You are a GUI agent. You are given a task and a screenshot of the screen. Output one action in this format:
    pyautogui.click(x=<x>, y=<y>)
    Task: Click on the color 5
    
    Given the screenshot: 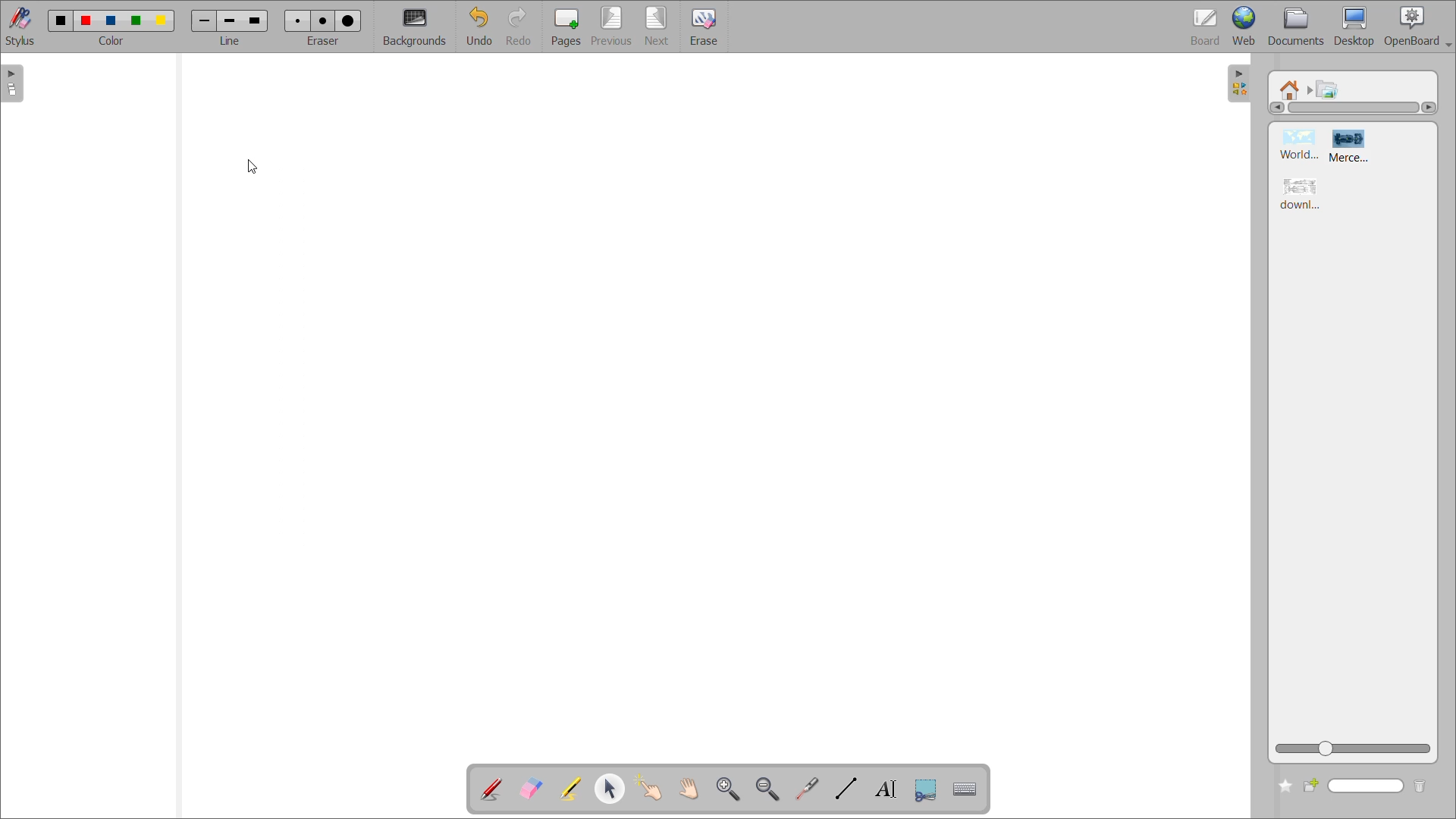 What is the action you would take?
    pyautogui.click(x=163, y=20)
    